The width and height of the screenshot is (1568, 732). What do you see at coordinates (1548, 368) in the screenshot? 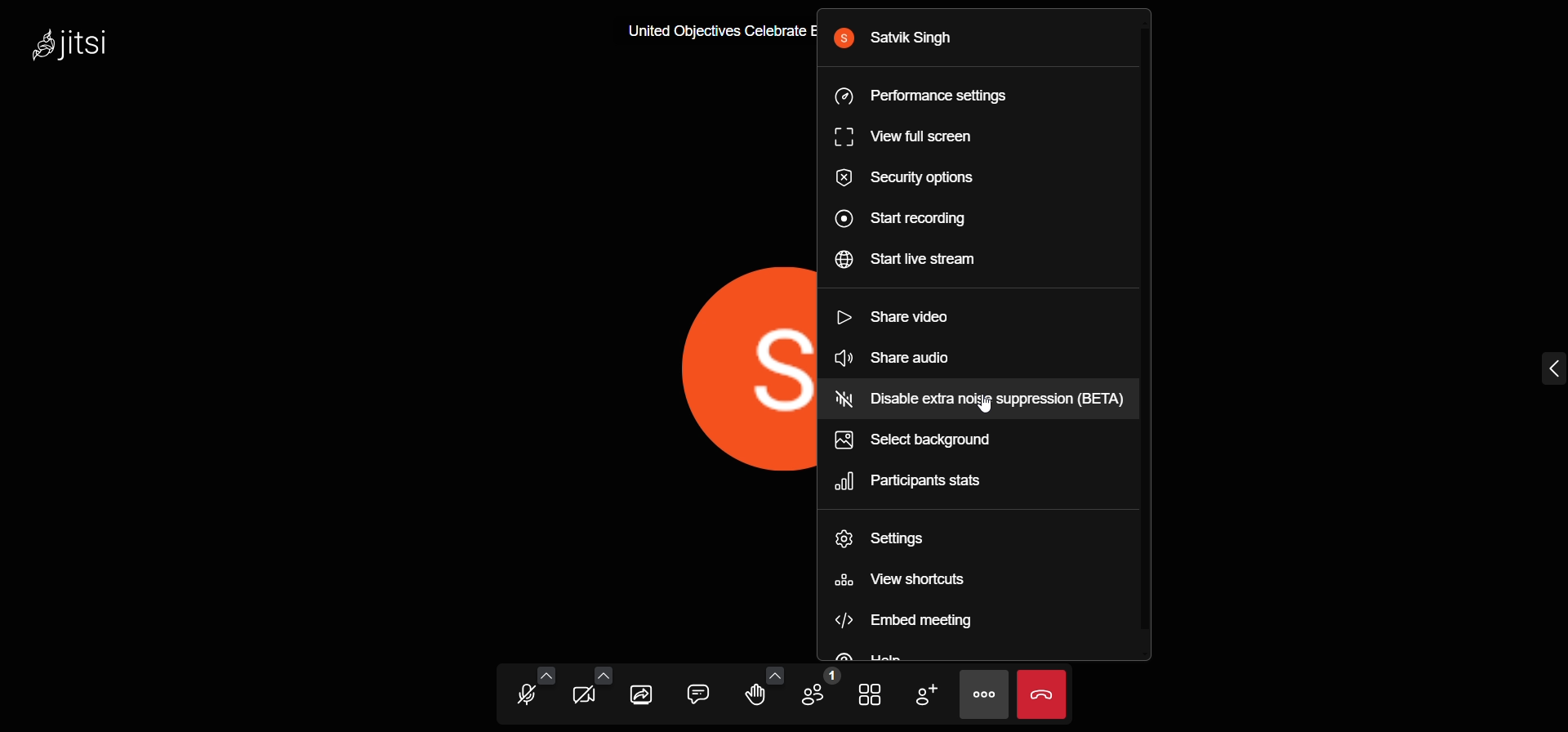
I see `expand` at bounding box center [1548, 368].